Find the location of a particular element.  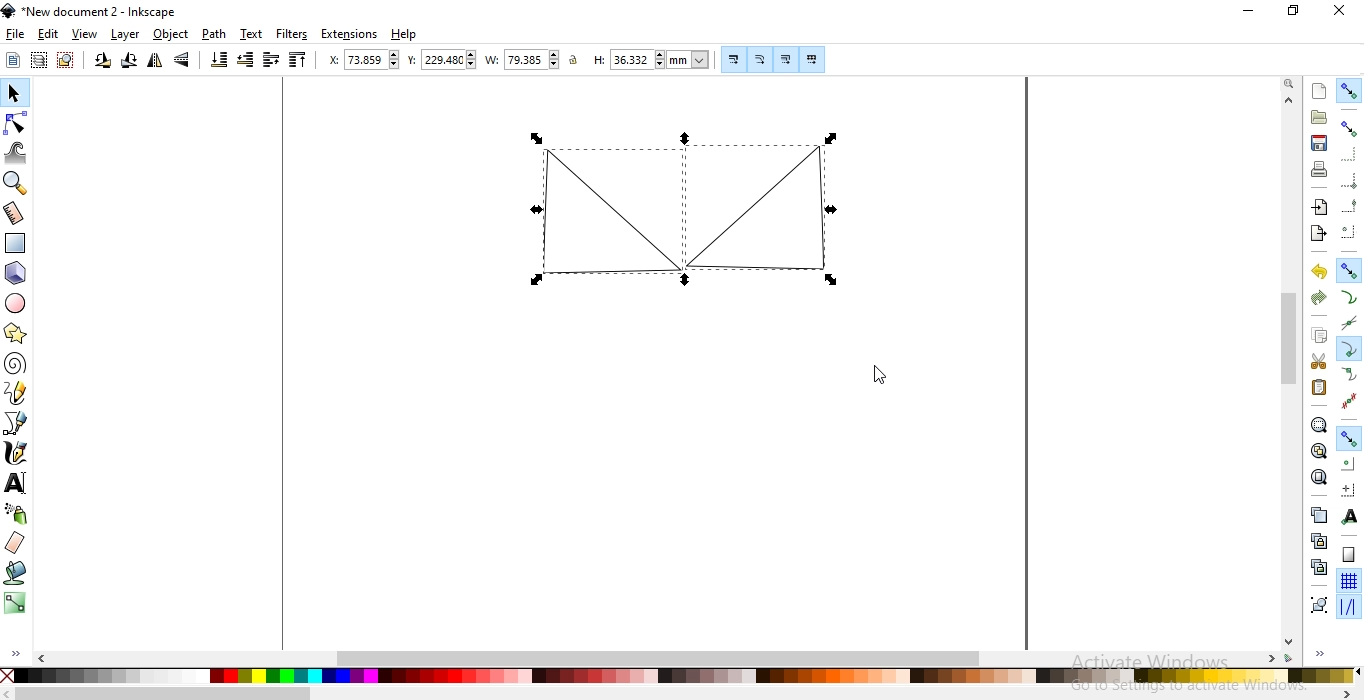

cut the selected clone links is located at coordinates (1319, 567).